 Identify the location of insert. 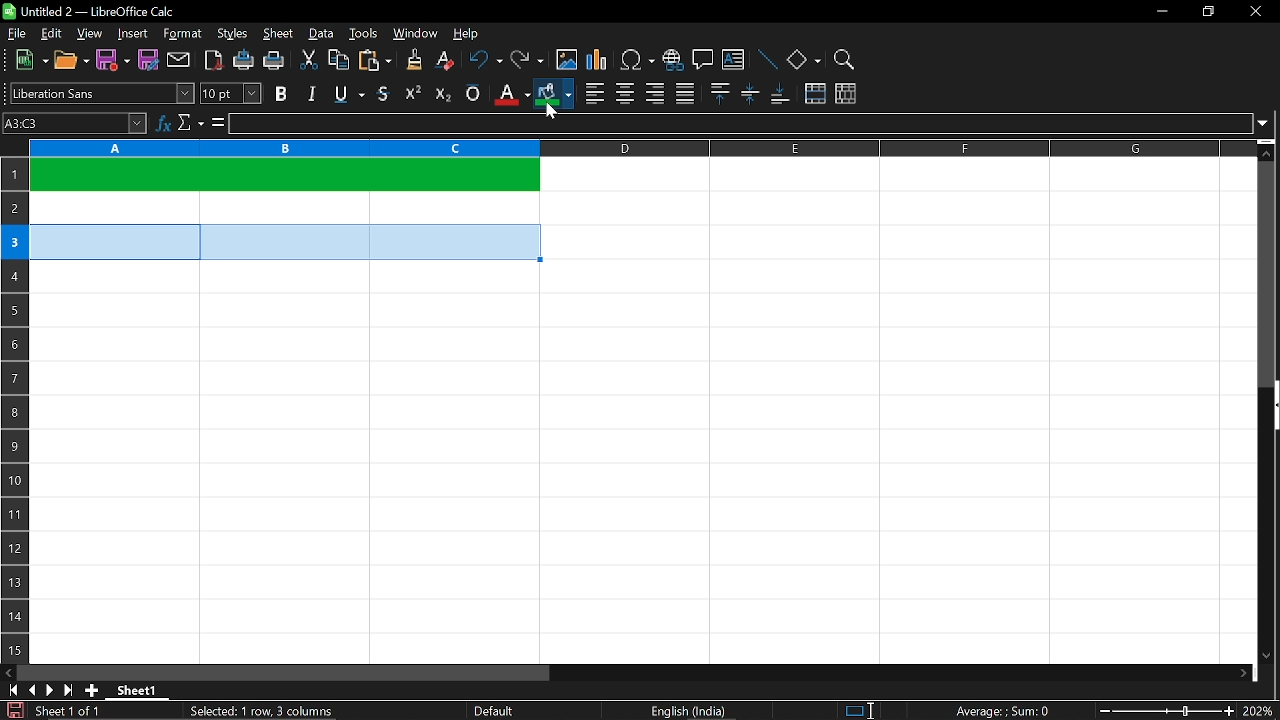
(133, 34).